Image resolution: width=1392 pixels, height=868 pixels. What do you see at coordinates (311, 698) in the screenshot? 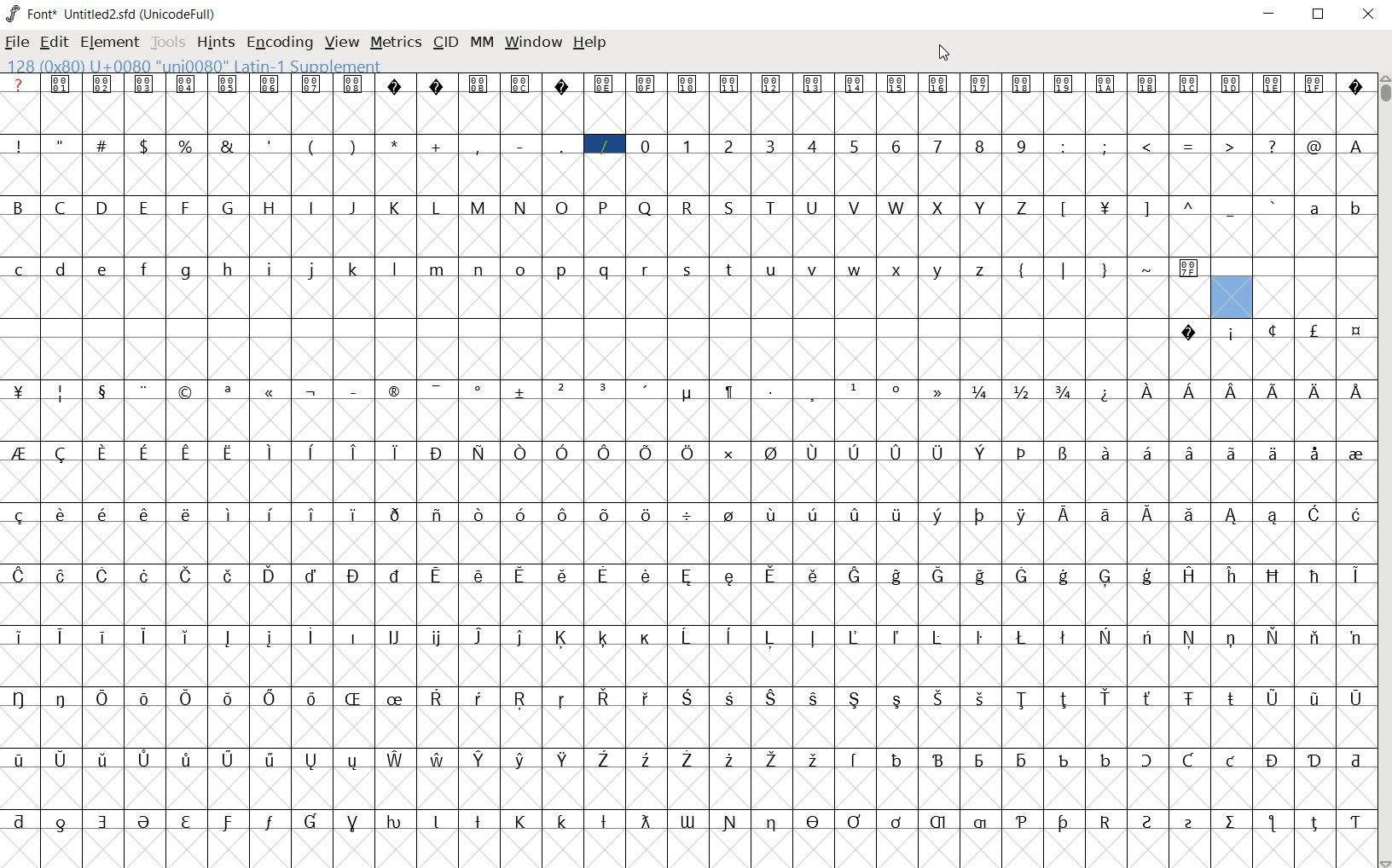
I see `glyph` at bounding box center [311, 698].